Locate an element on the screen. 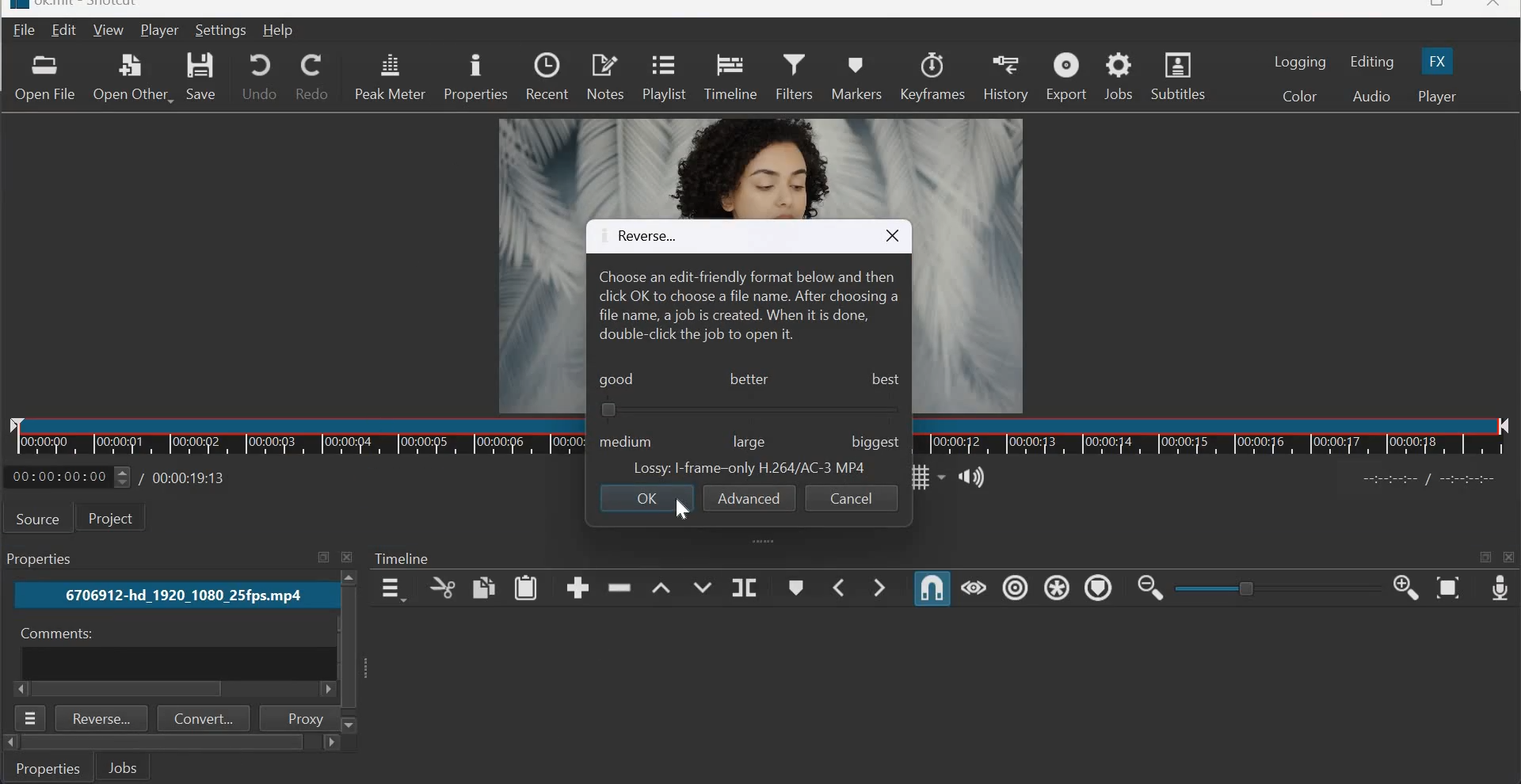  timeline menu  is located at coordinates (391, 588).